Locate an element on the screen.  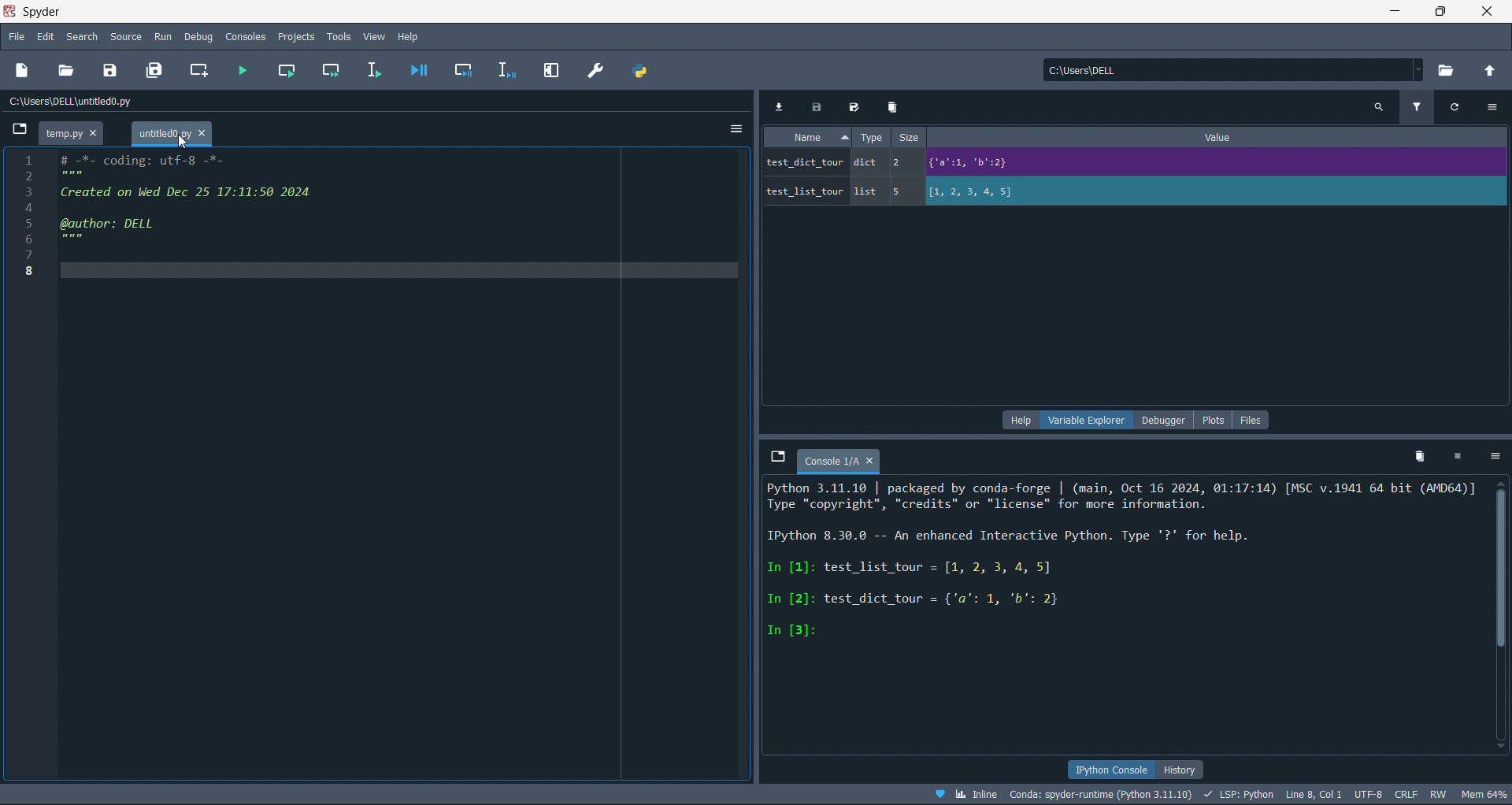
UTF-8 CRLF is located at coordinates (1388, 796).